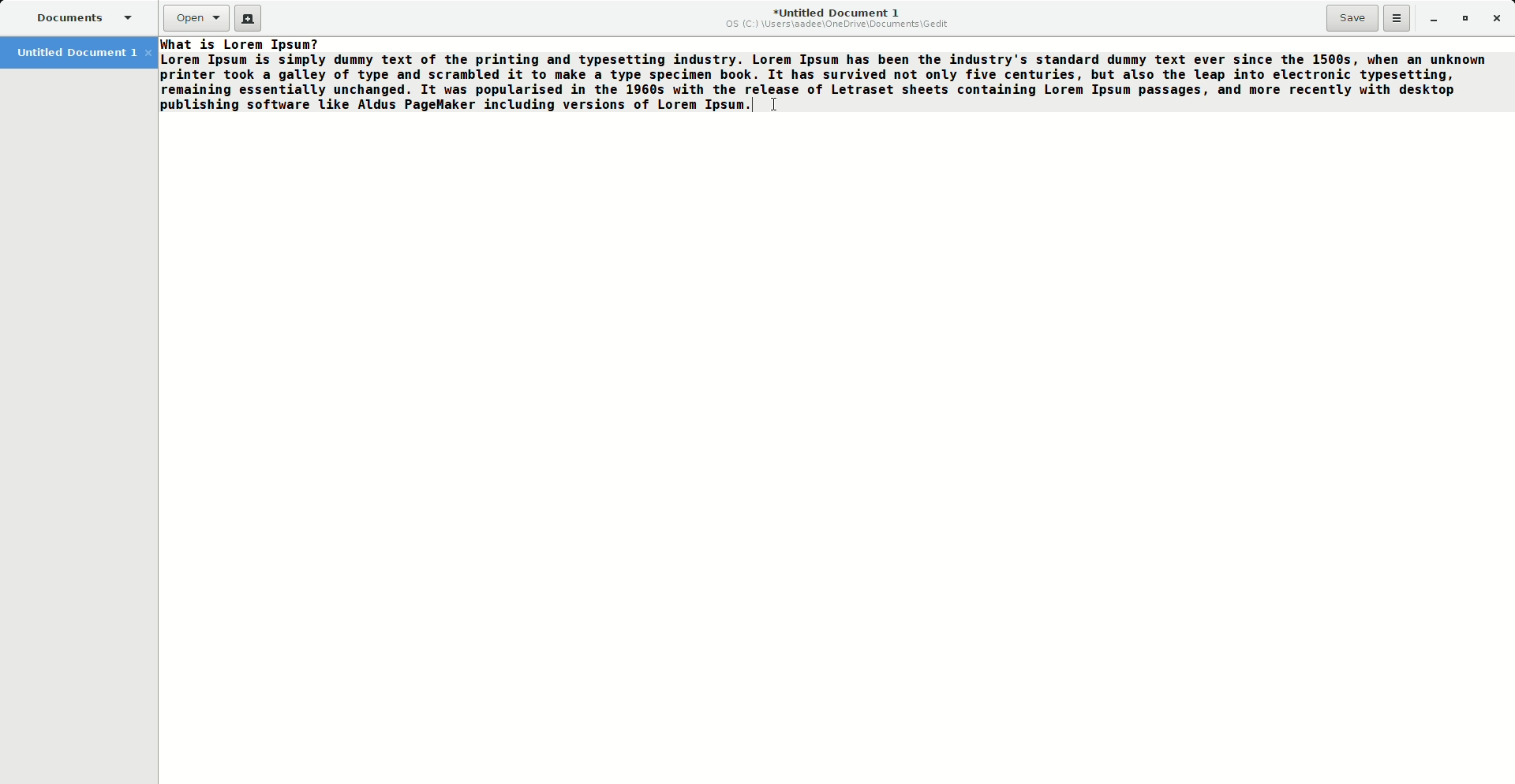 The image size is (1515, 784). What do you see at coordinates (1463, 17) in the screenshot?
I see `Restore` at bounding box center [1463, 17].